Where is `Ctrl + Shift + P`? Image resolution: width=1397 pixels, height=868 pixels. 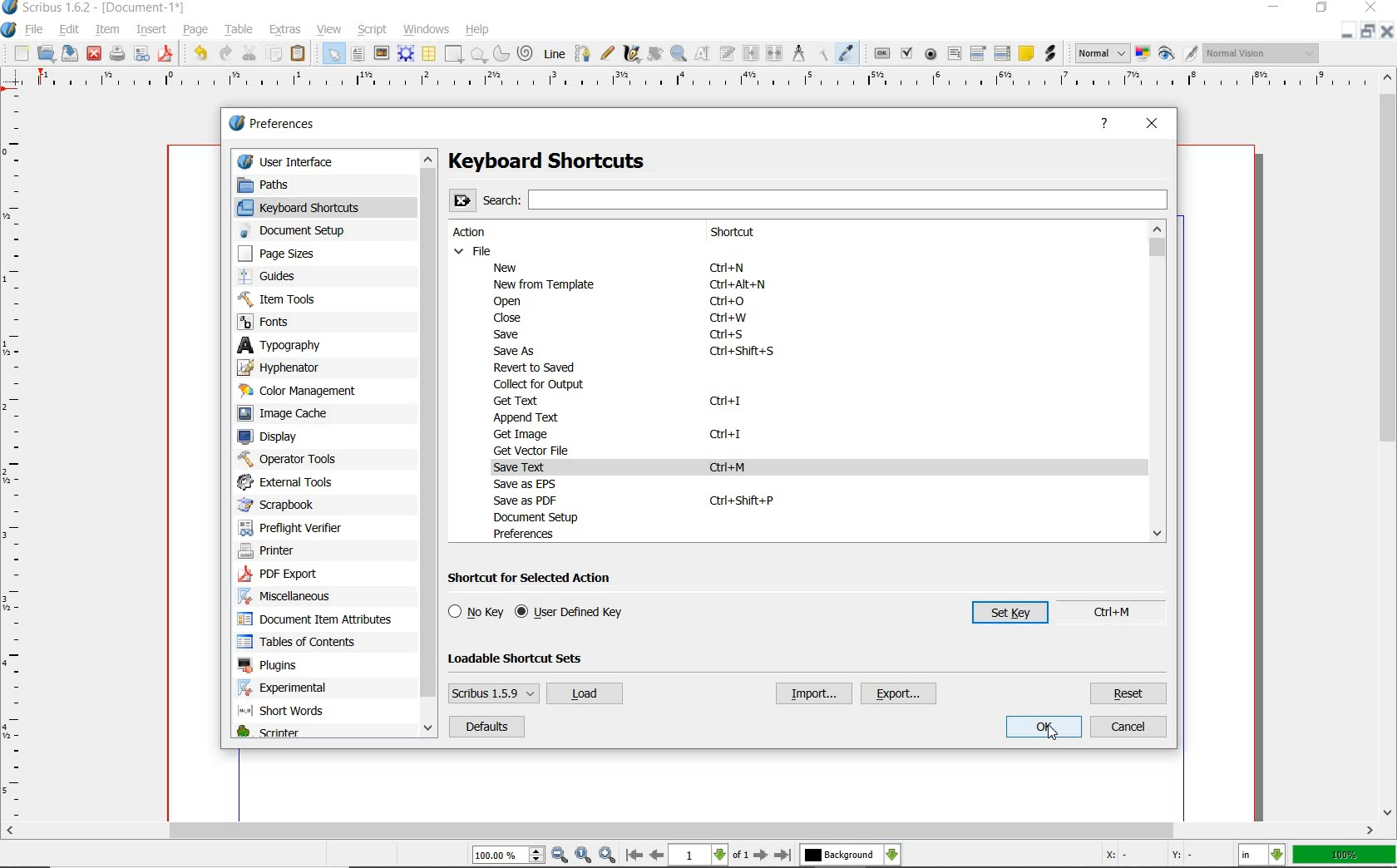
Ctrl + Shift + P is located at coordinates (741, 500).